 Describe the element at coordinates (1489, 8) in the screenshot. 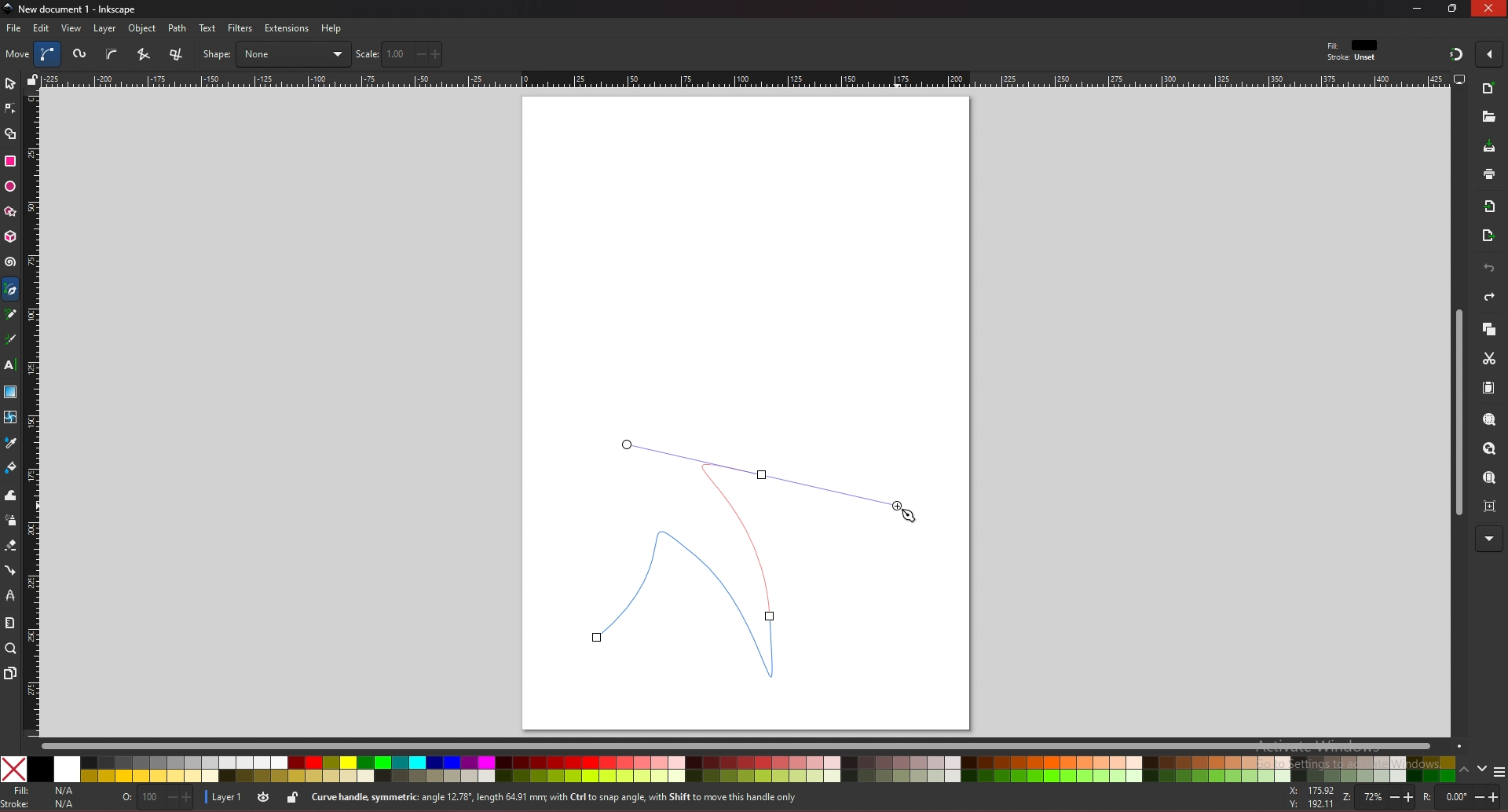

I see `close` at that location.